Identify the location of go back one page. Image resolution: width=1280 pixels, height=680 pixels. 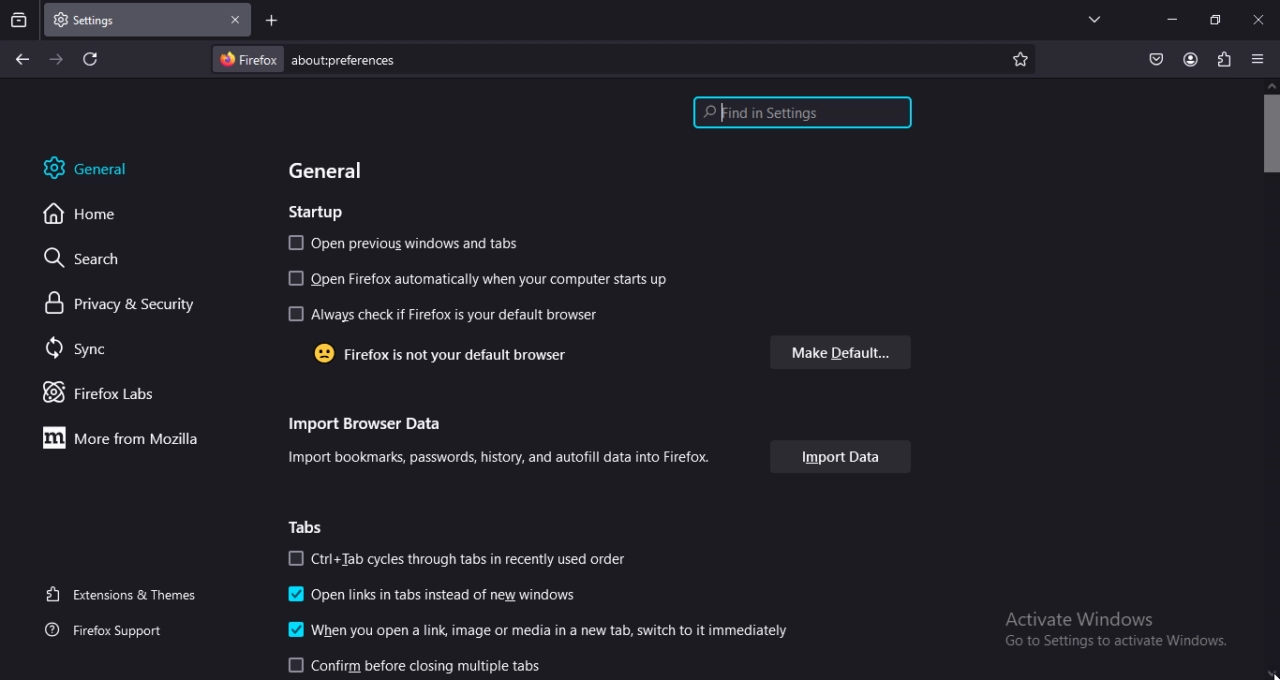
(20, 59).